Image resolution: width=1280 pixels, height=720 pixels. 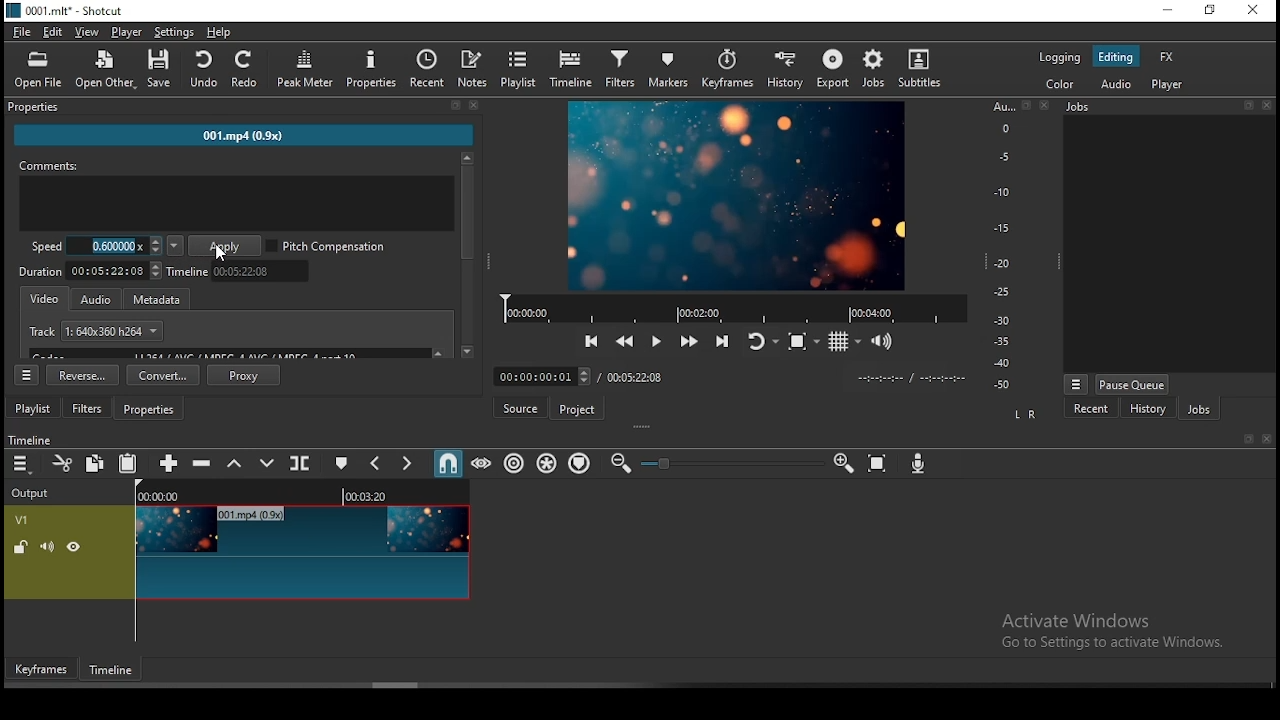 What do you see at coordinates (83, 375) in the screenshot?
I see `reverse` at bounding box center [83, 375].